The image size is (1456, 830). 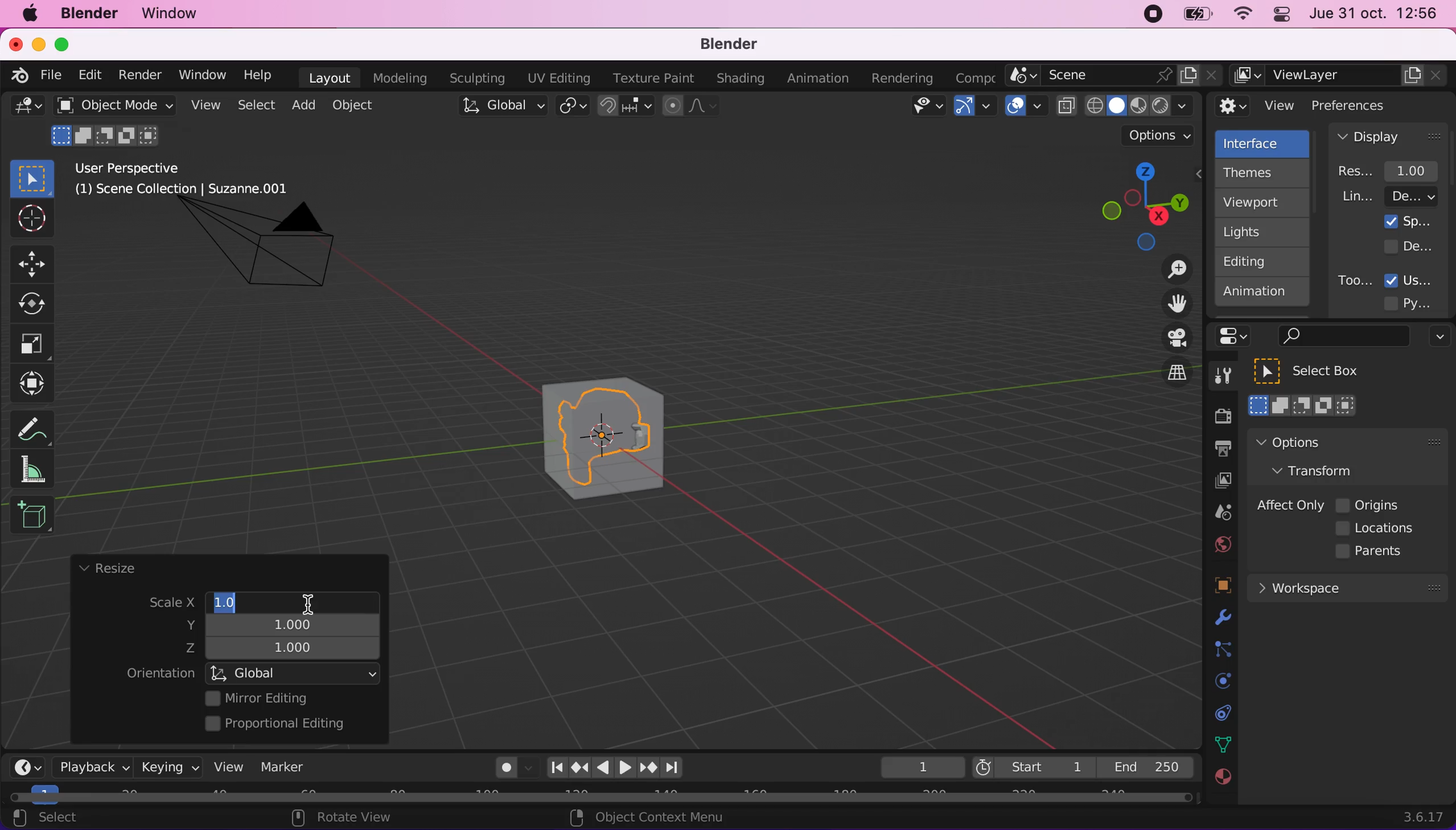 What do you see at coordinates (474, 78) in the screenshot?
I see `sculpting` at bounding box center [474, 78].